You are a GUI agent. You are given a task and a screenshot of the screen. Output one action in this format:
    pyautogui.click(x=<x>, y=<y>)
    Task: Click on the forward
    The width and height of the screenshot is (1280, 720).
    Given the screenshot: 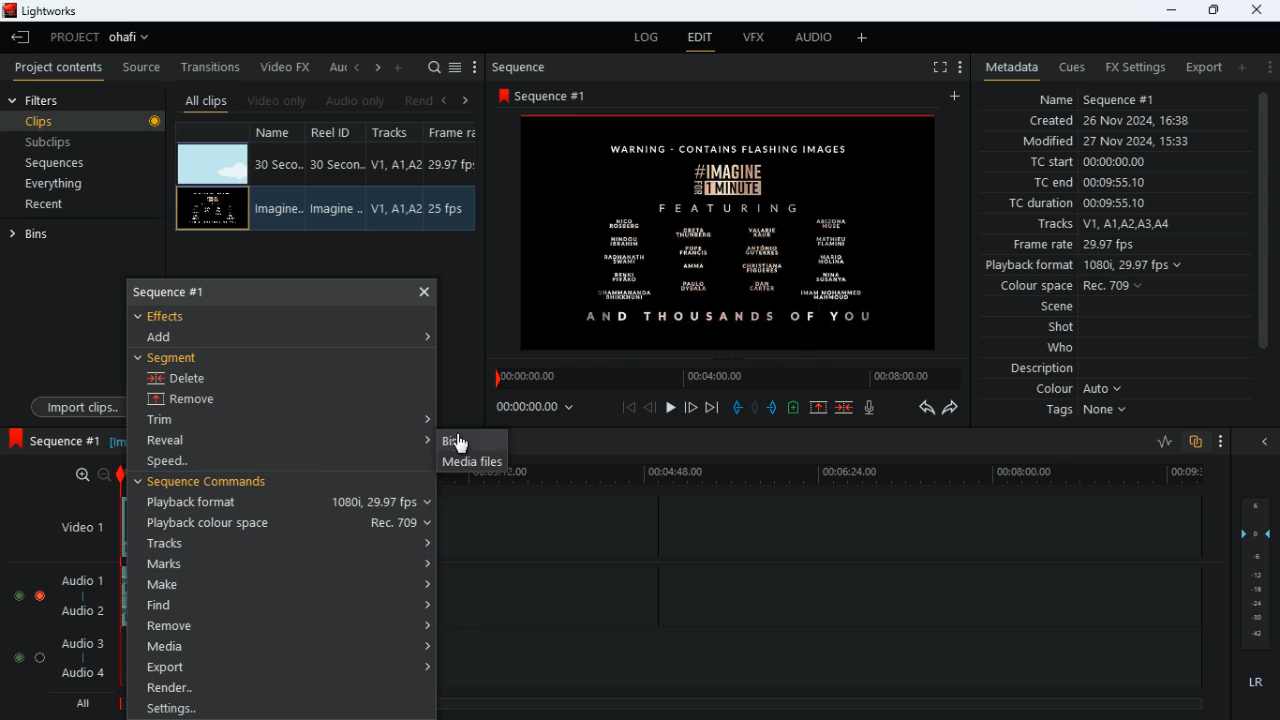 What is the action you would take?
    pyautogui.click(x=690, y=407)
    